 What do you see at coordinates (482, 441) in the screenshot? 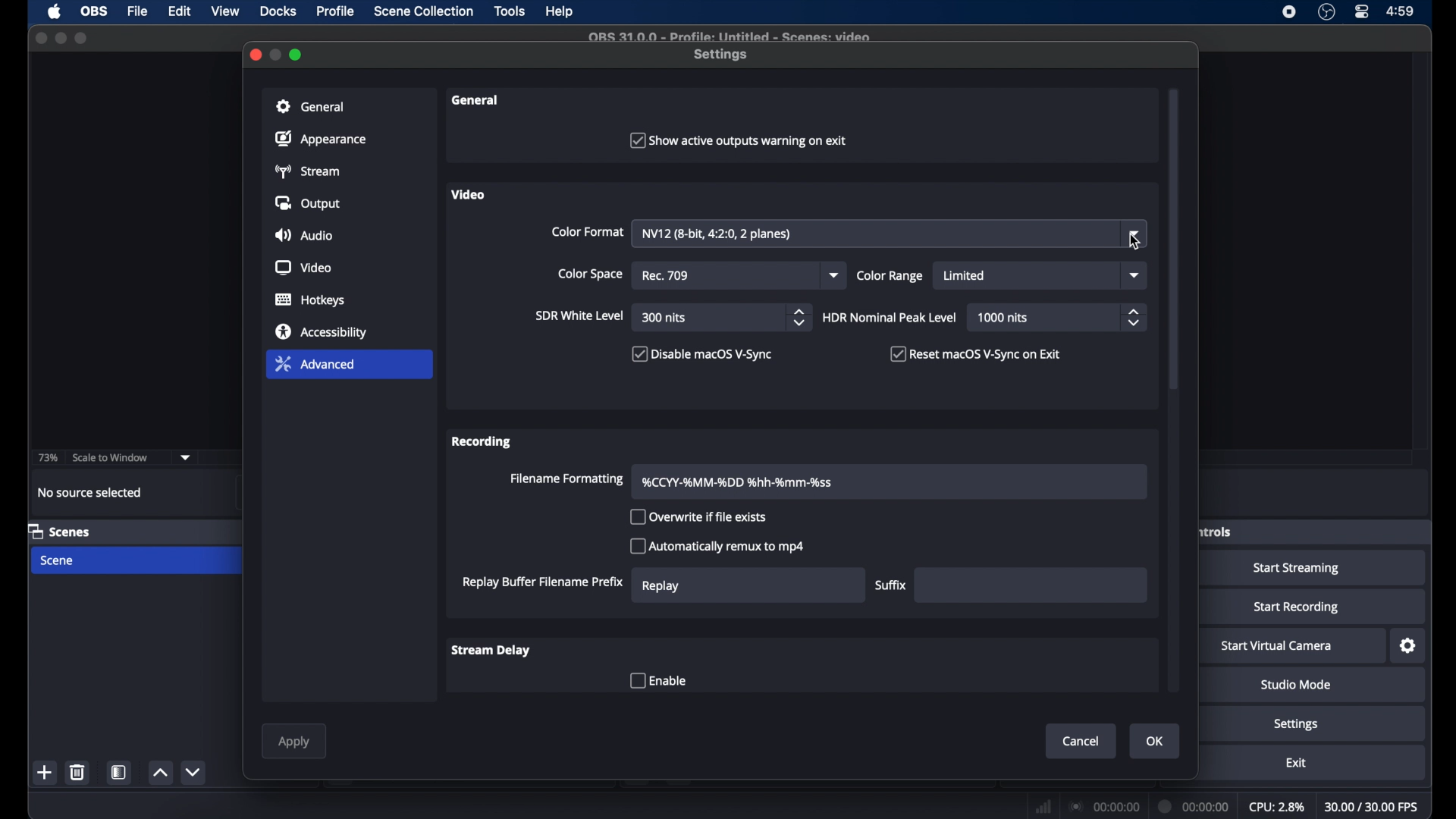
I see `recording` at bounding box center [482, 441].